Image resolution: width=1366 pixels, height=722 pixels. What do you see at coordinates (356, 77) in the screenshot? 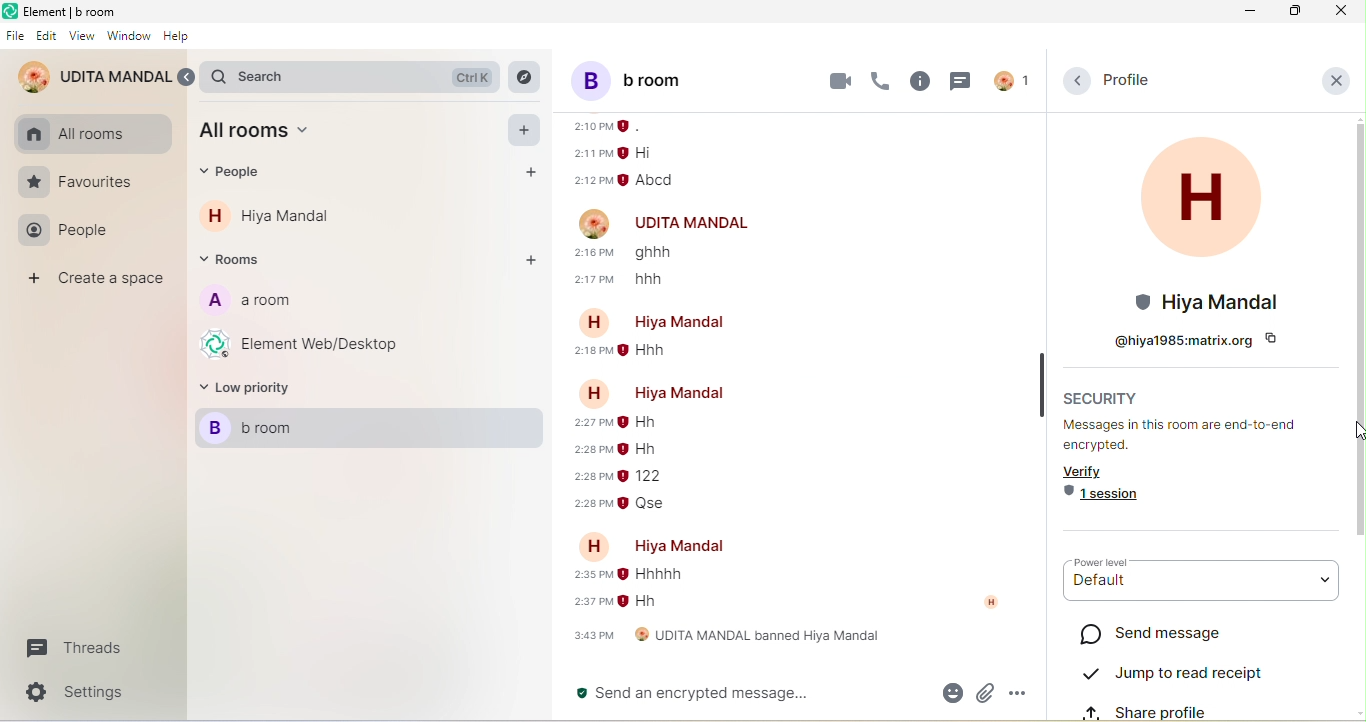
I see `search` at bounding box center [356, 77].